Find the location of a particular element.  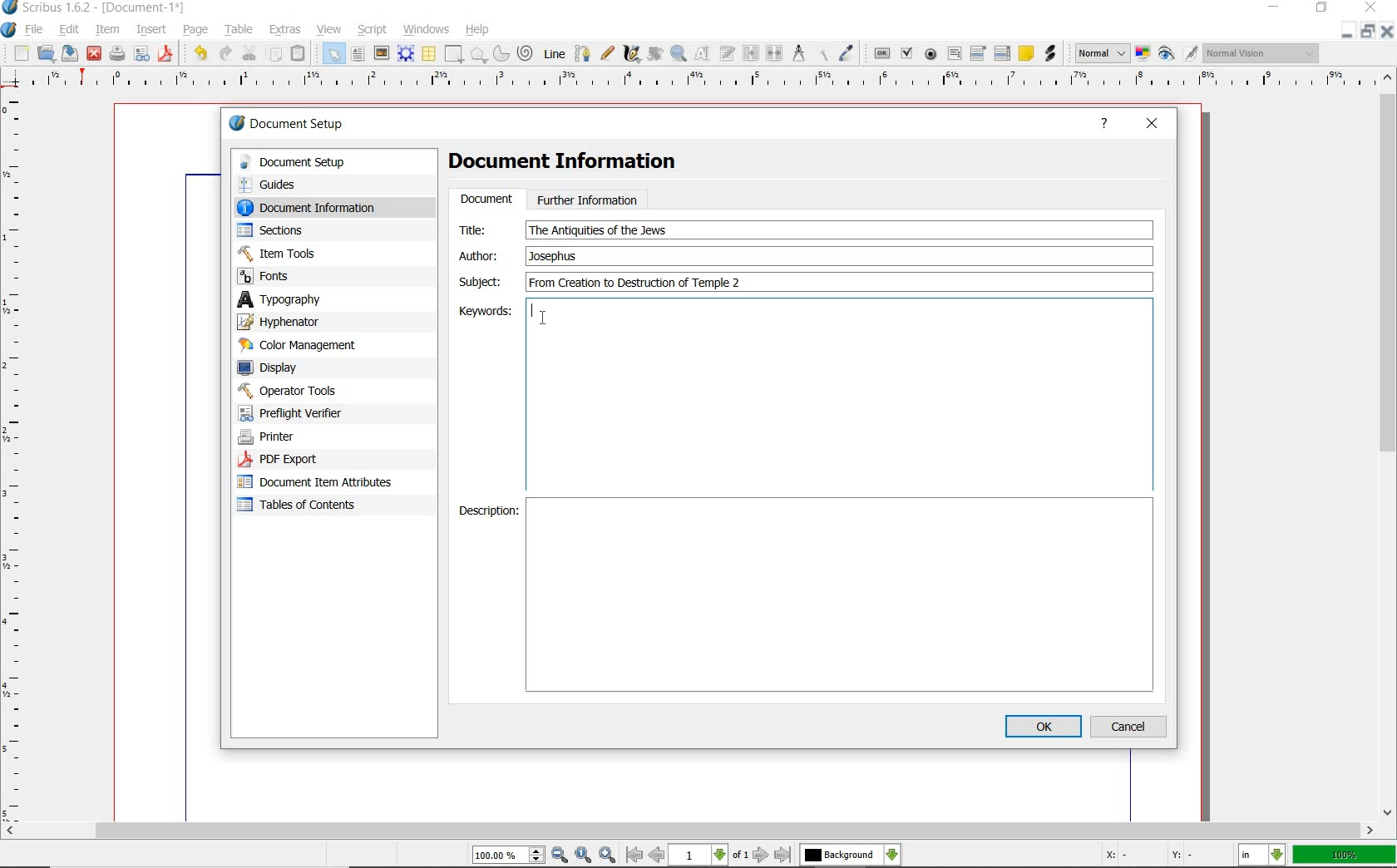

minimize is located at coordinates (1272, 7).